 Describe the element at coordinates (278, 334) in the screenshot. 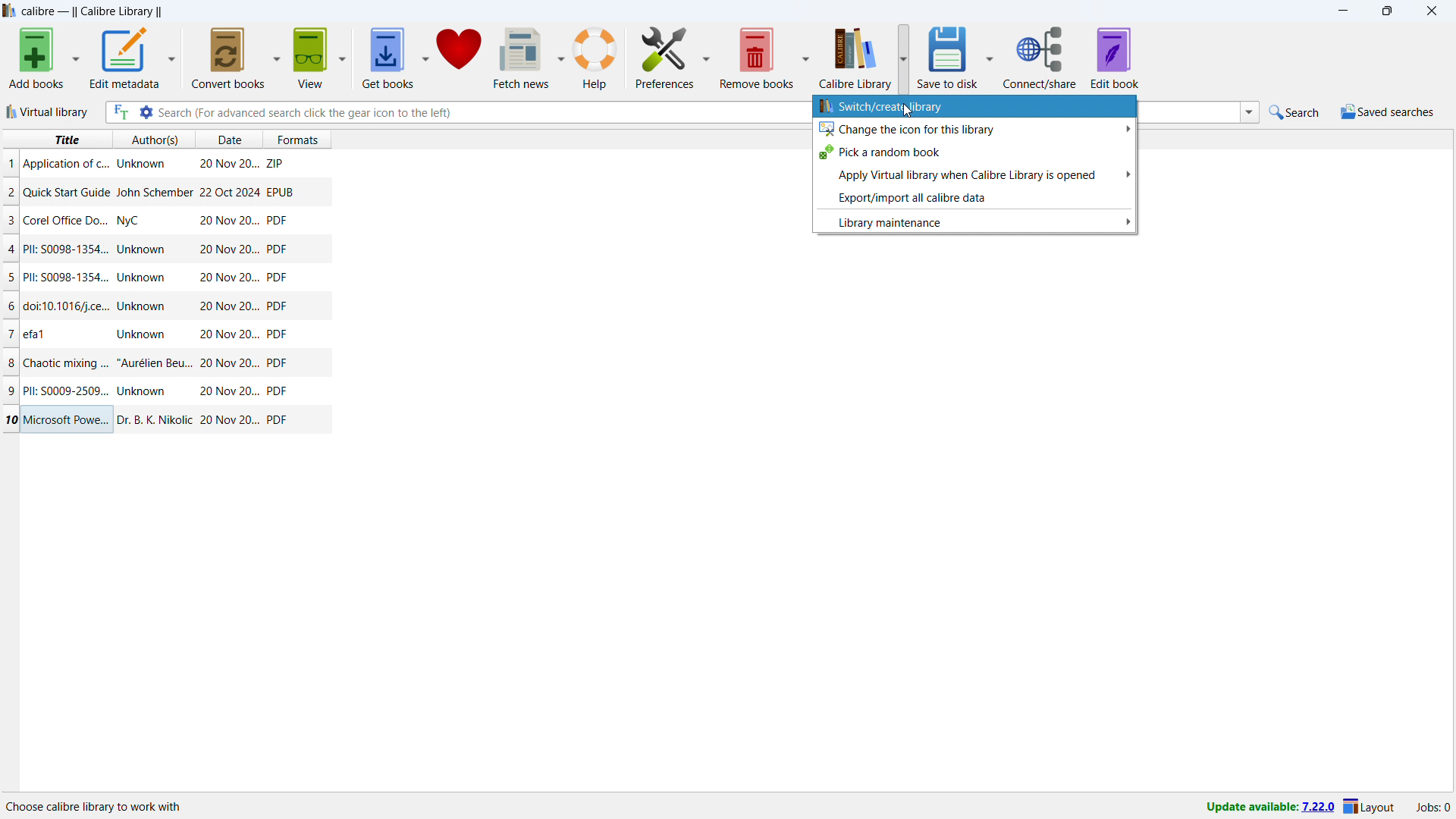

I see `PDF` at that location.